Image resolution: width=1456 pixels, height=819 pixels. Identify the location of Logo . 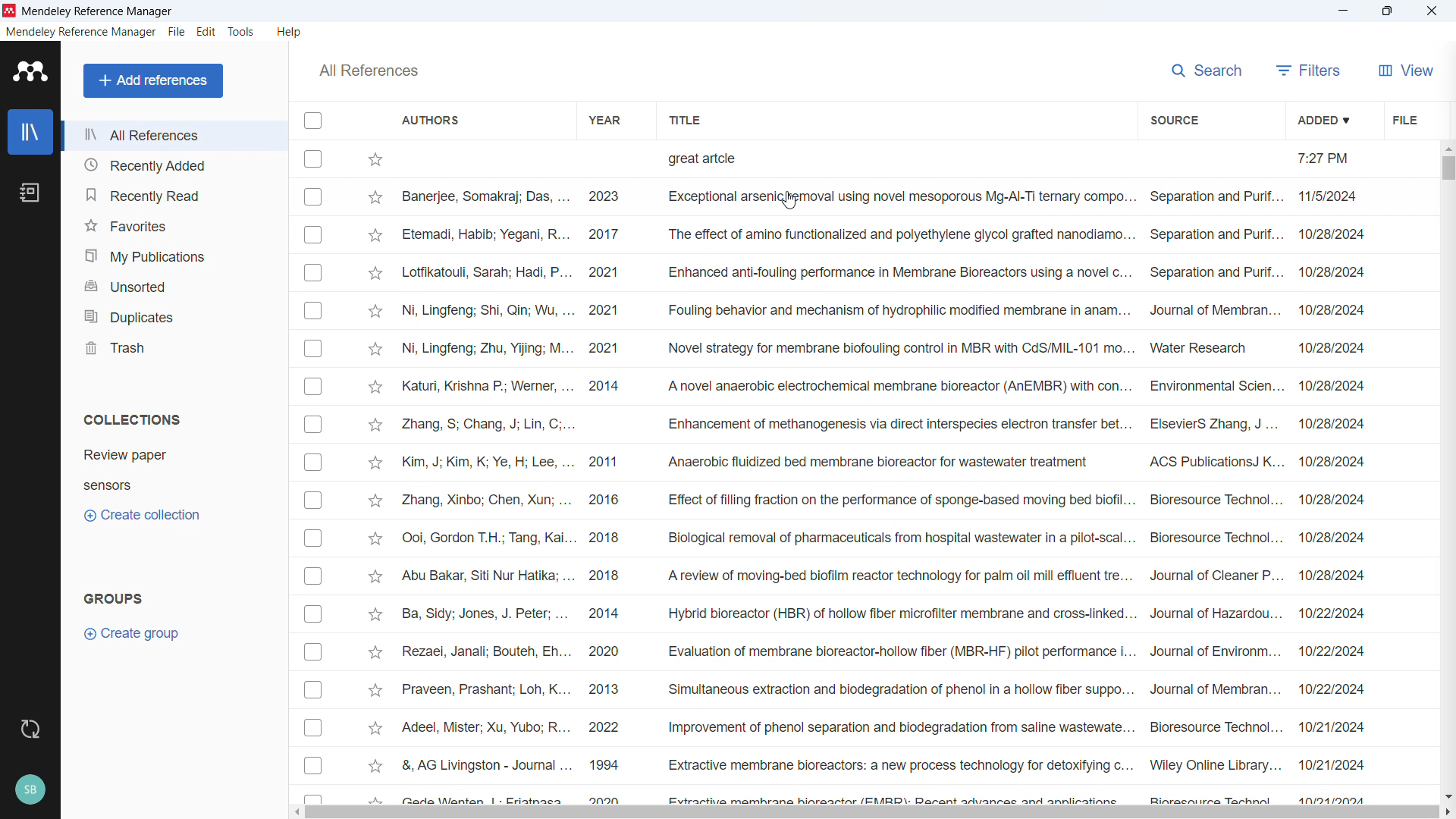
(10, 11).